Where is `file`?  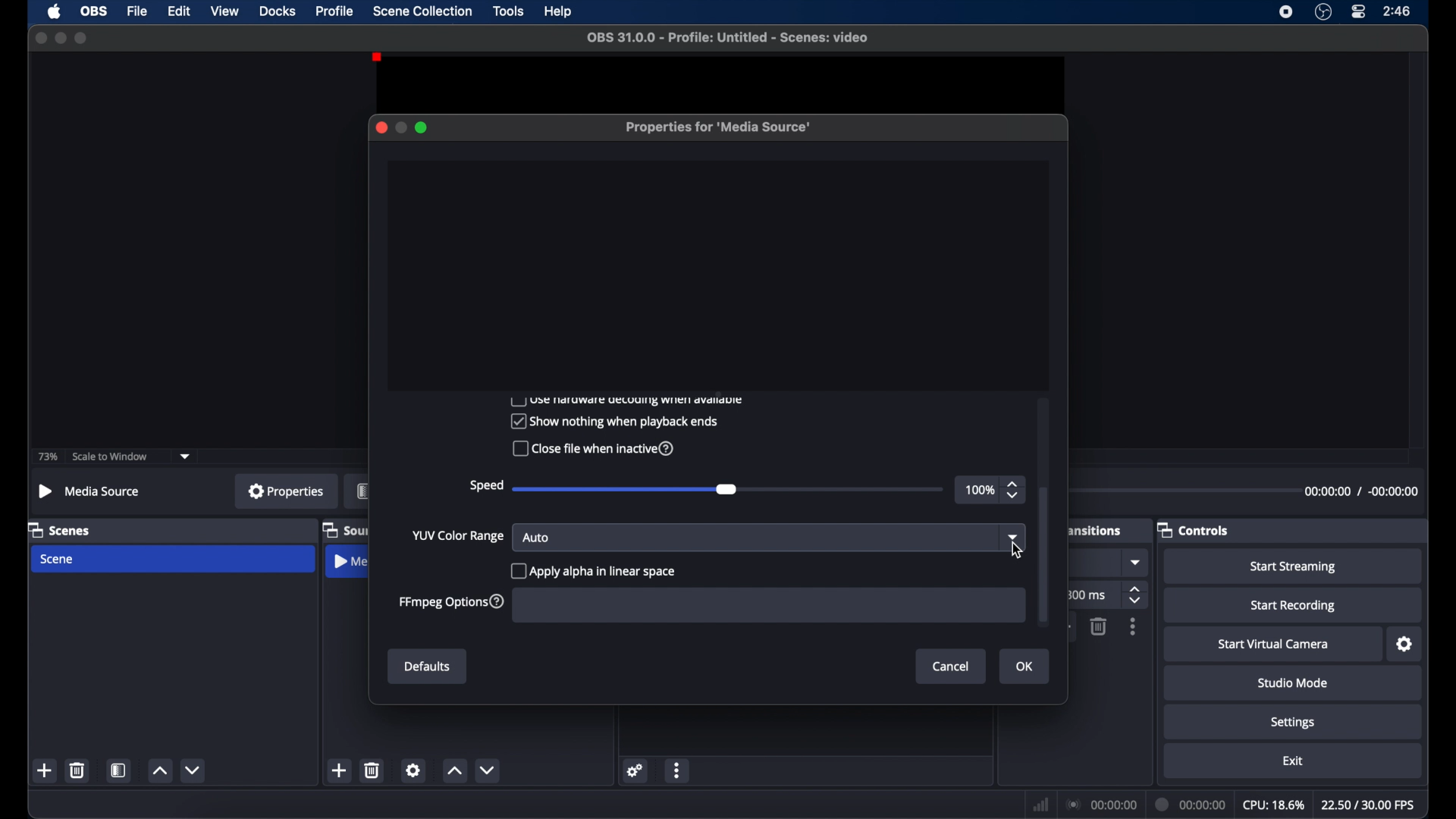
file is located at coordinates (138, 11).